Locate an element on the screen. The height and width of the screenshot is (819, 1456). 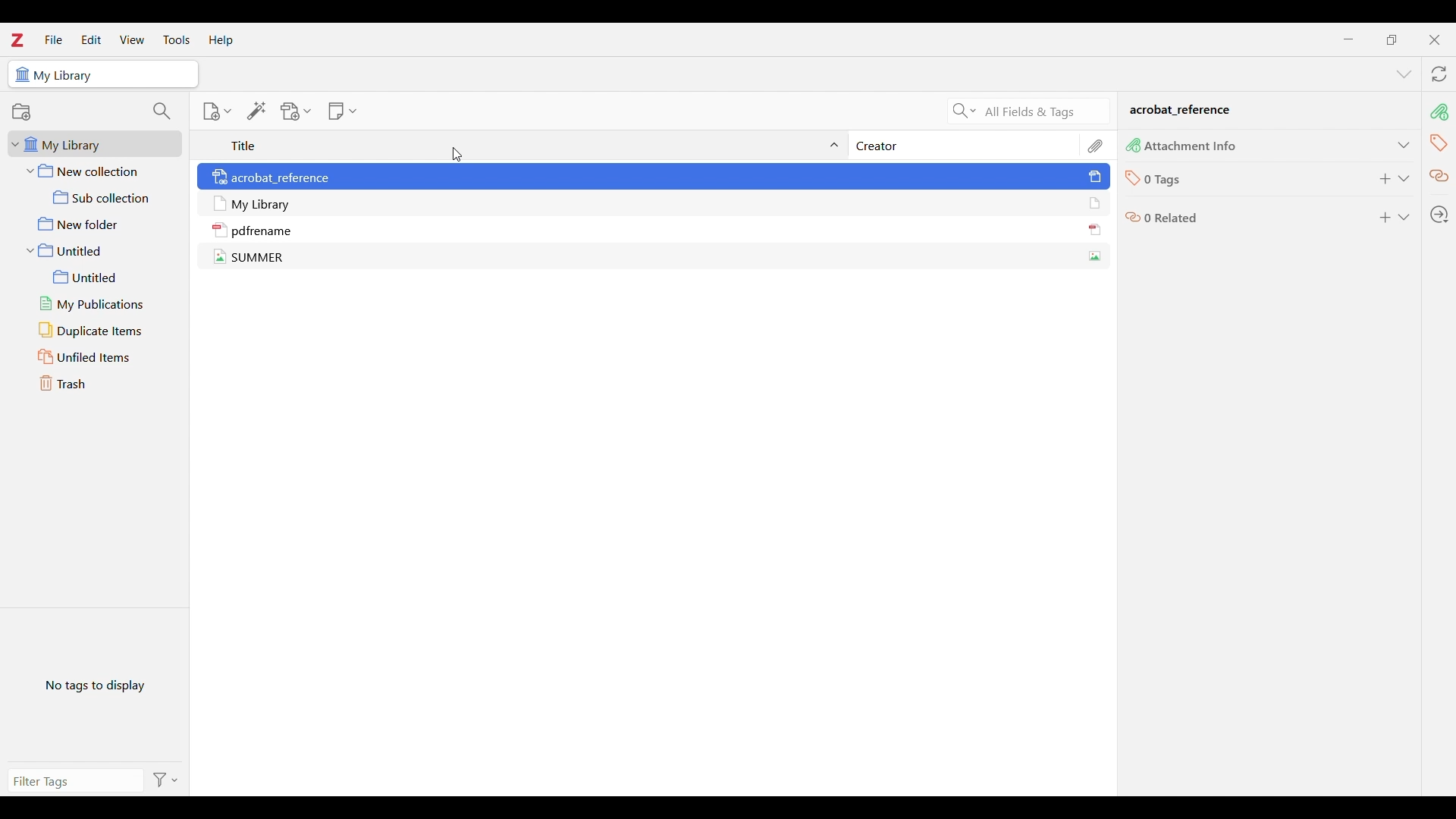
Filter options is located at coordinates (163, 780).